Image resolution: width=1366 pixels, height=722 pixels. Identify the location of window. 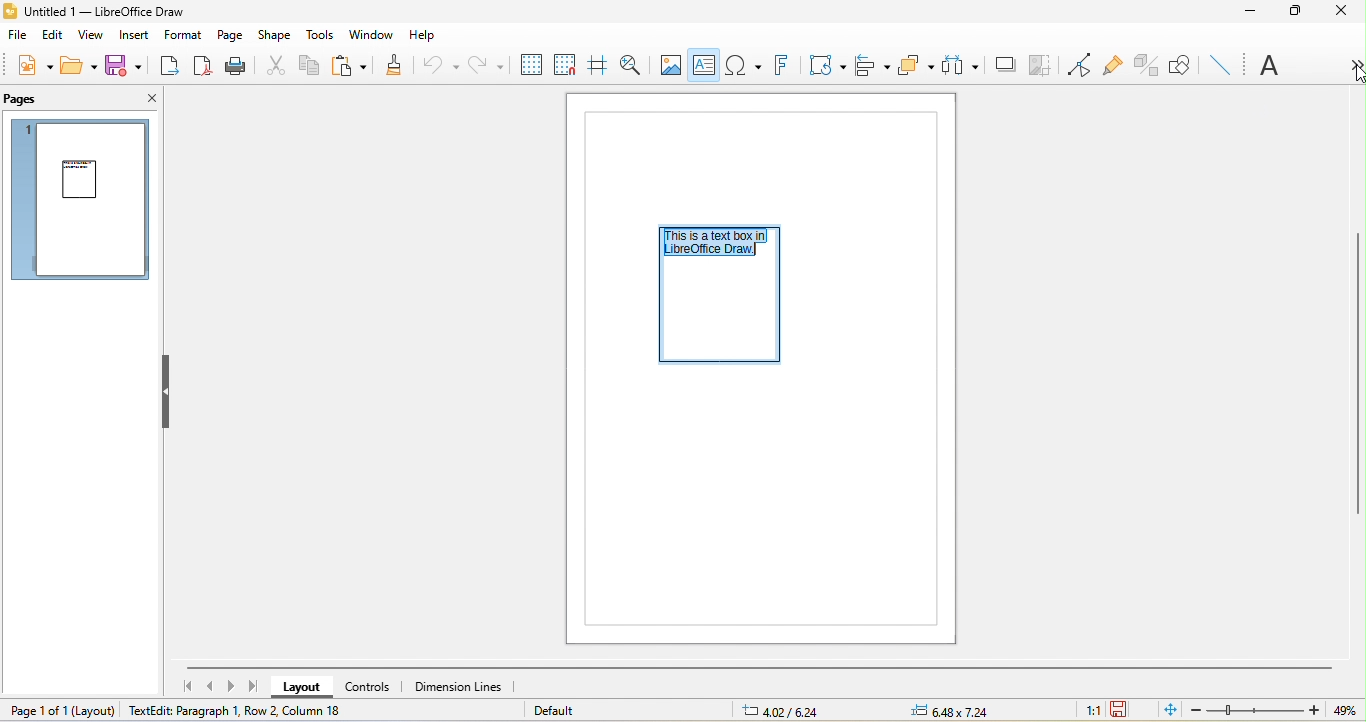
(371, 36).